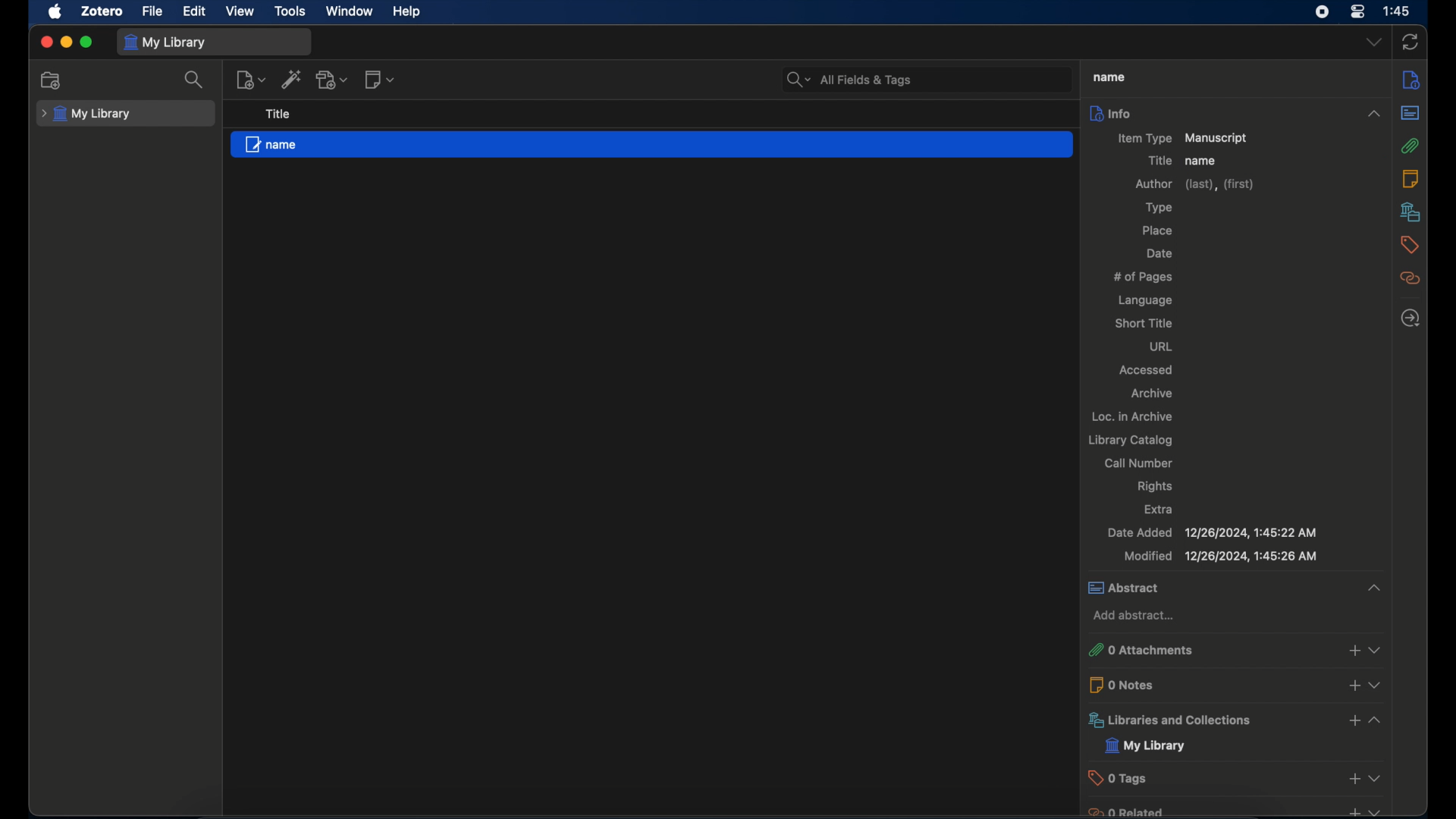 This screenshot has height=819, width=1456. I want to click on file "name", so click(652, 145).